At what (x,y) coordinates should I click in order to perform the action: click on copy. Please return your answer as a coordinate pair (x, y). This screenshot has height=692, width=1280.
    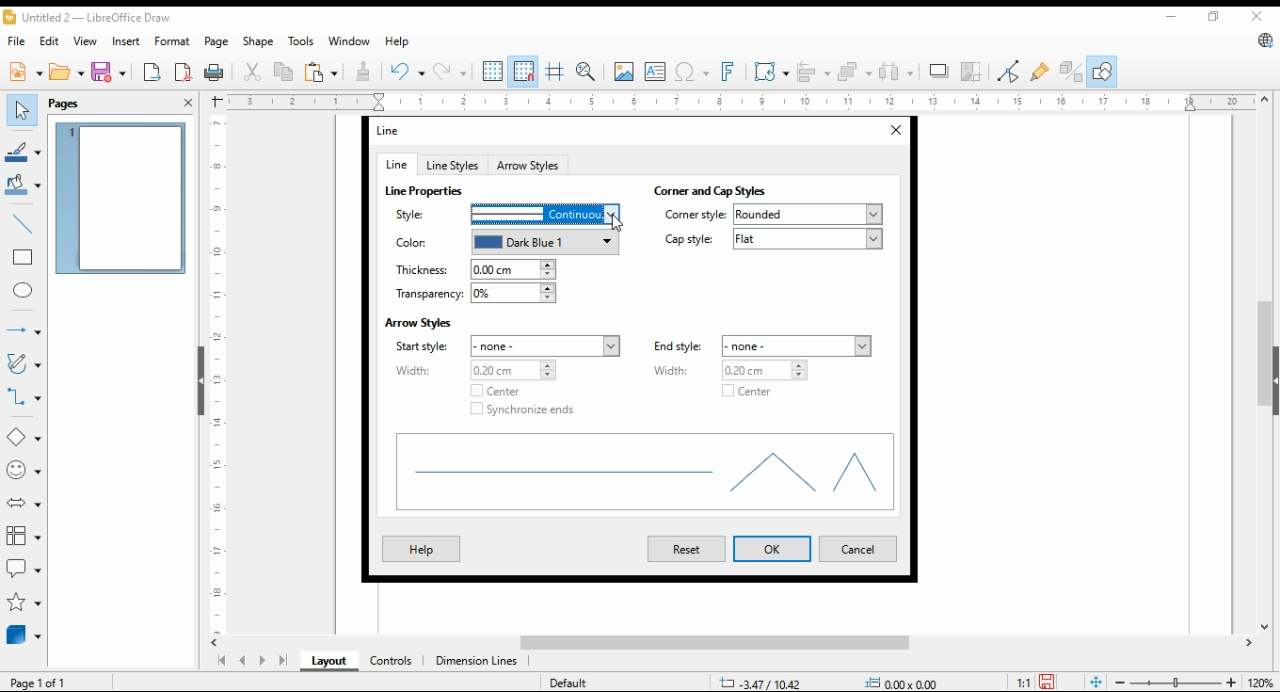
    Looking at the image, I should click on (285, 71).